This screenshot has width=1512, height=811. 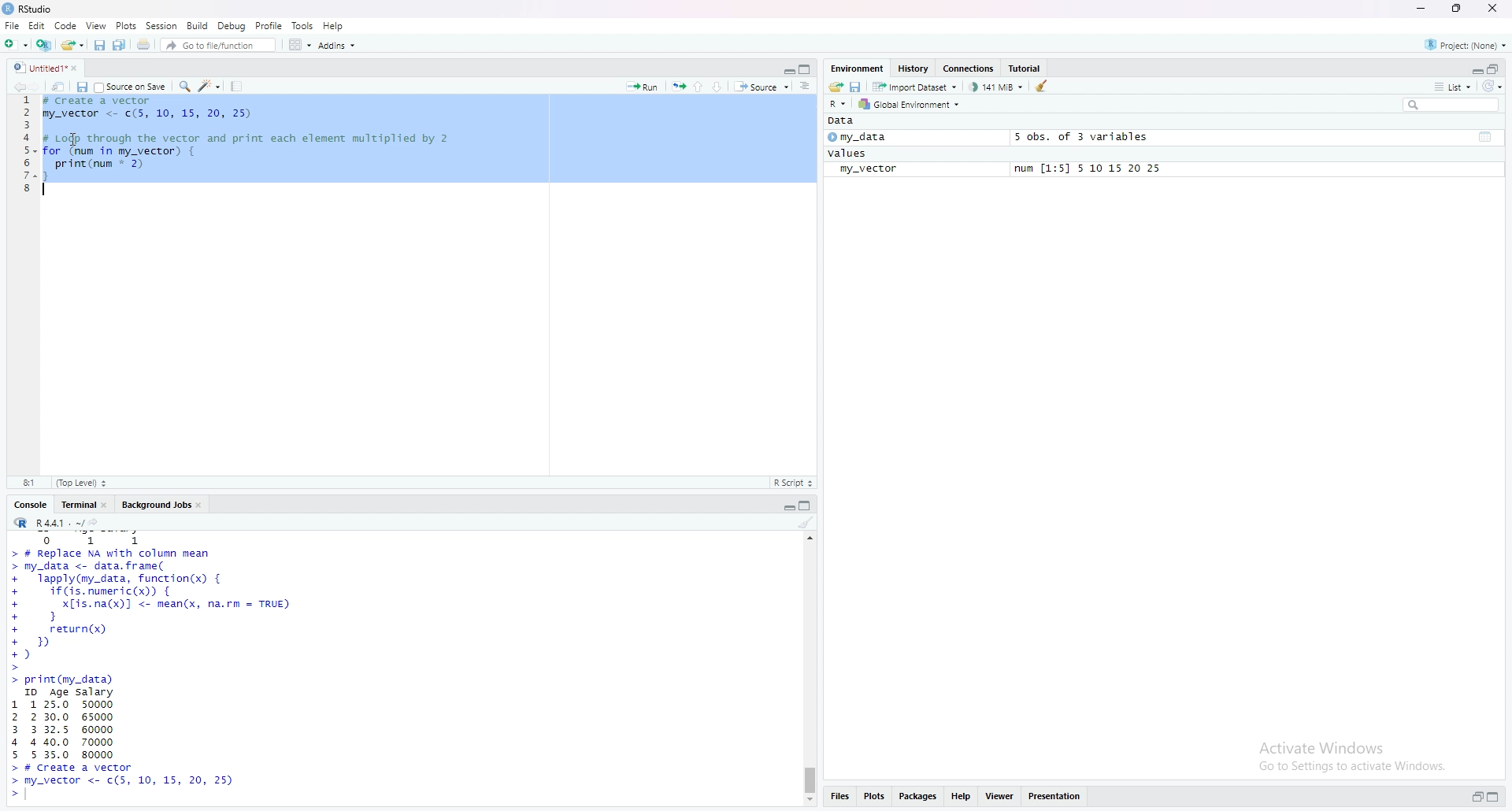 I want to click on new file, so click(x=16, y=46).